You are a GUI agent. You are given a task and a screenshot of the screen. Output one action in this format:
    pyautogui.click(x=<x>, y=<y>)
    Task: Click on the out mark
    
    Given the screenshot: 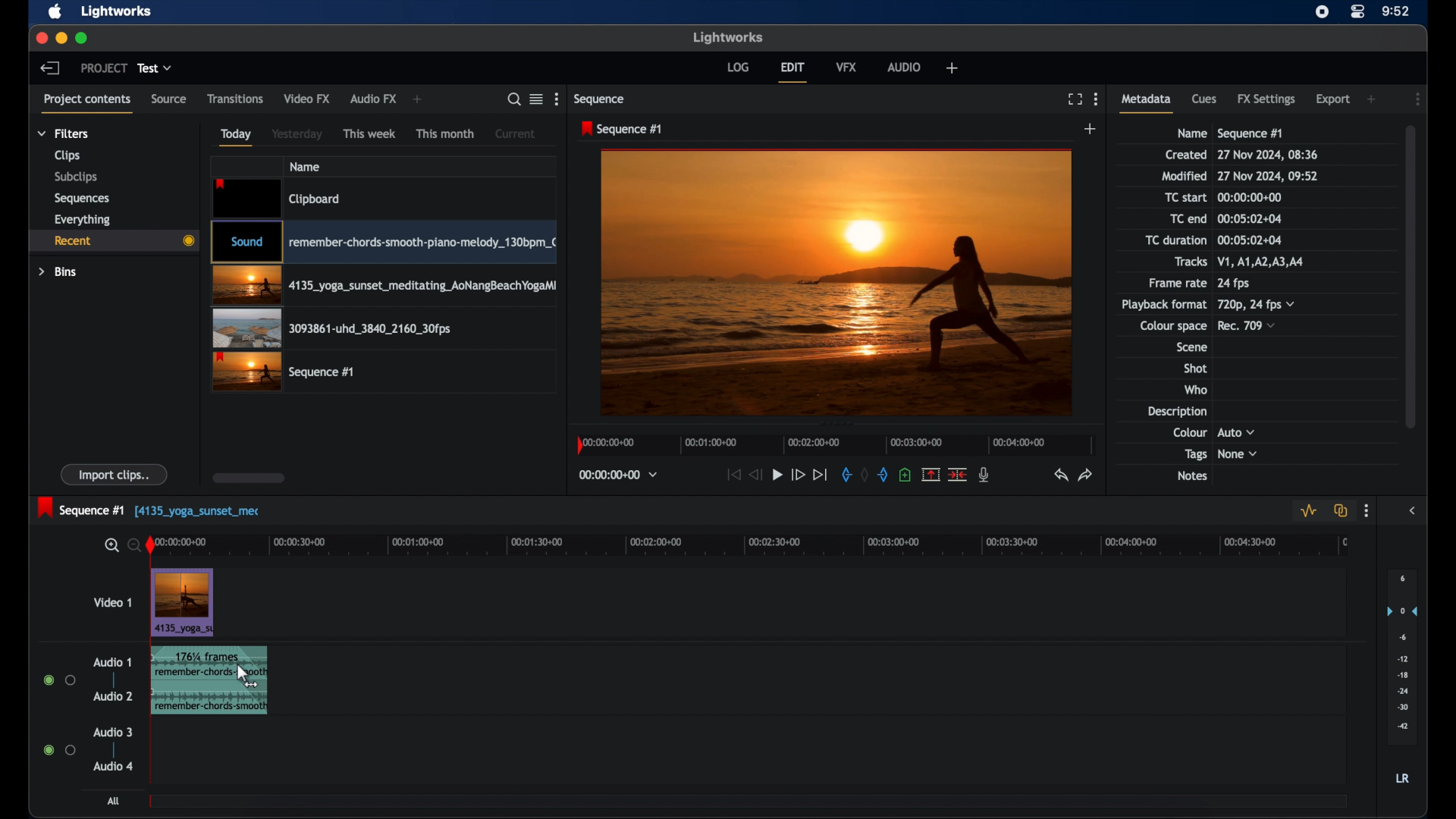 What is the action you would take?
    pyautogui.click(x=883, y=474)
    